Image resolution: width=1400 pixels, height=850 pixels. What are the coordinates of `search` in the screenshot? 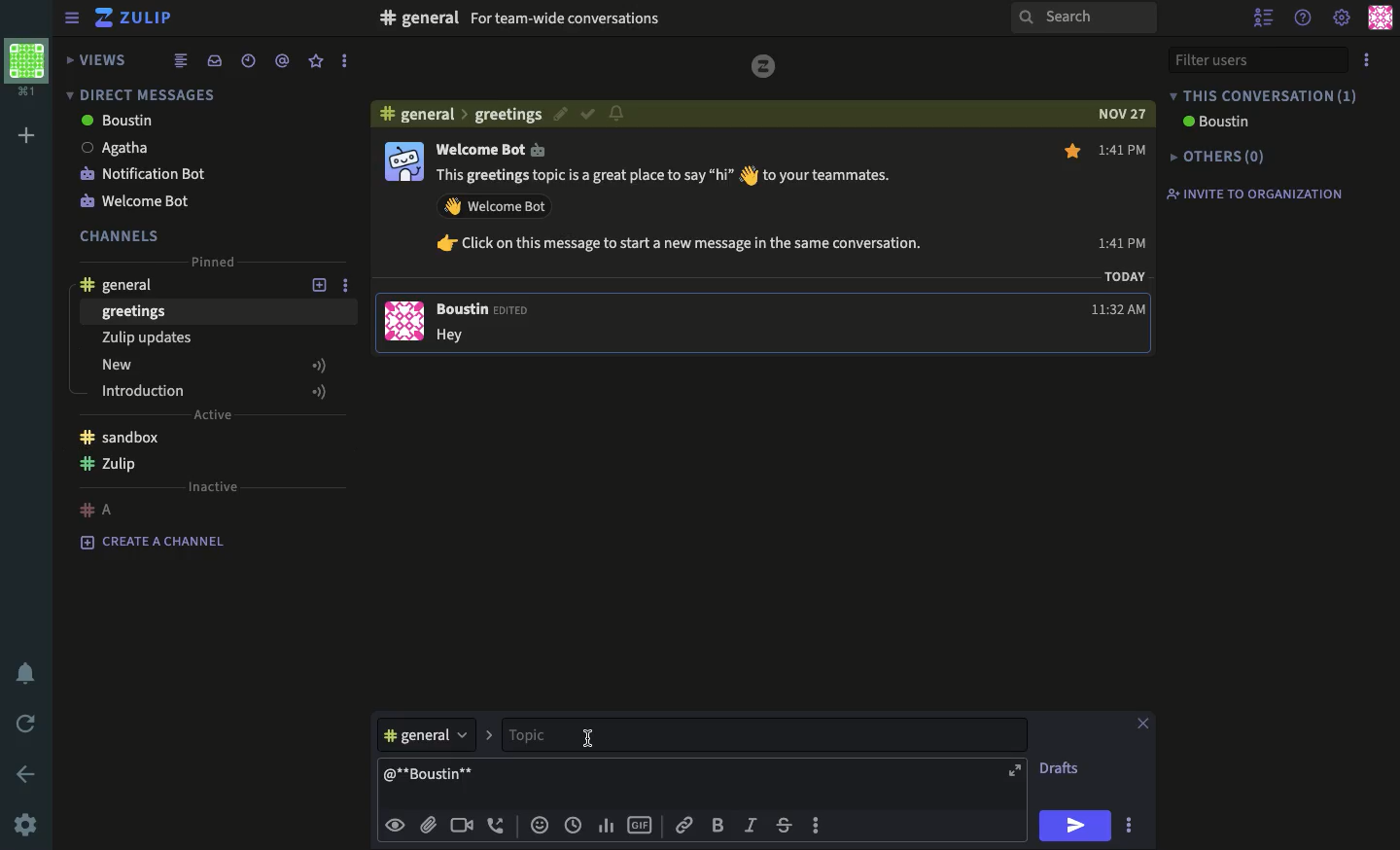 It's located at (1086, 19).